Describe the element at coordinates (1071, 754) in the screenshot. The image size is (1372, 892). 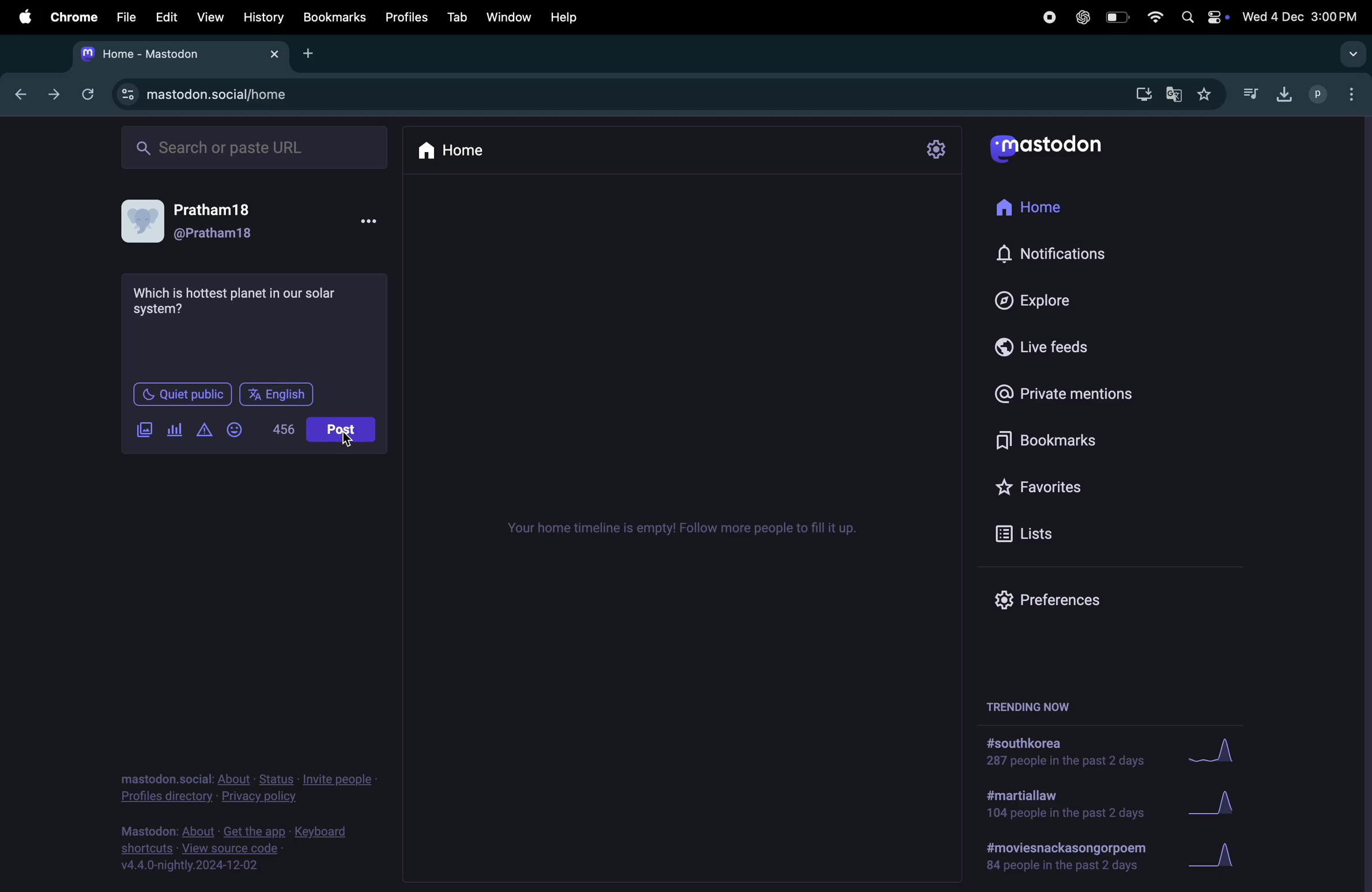
I see `#south korea solutuions` at that location.